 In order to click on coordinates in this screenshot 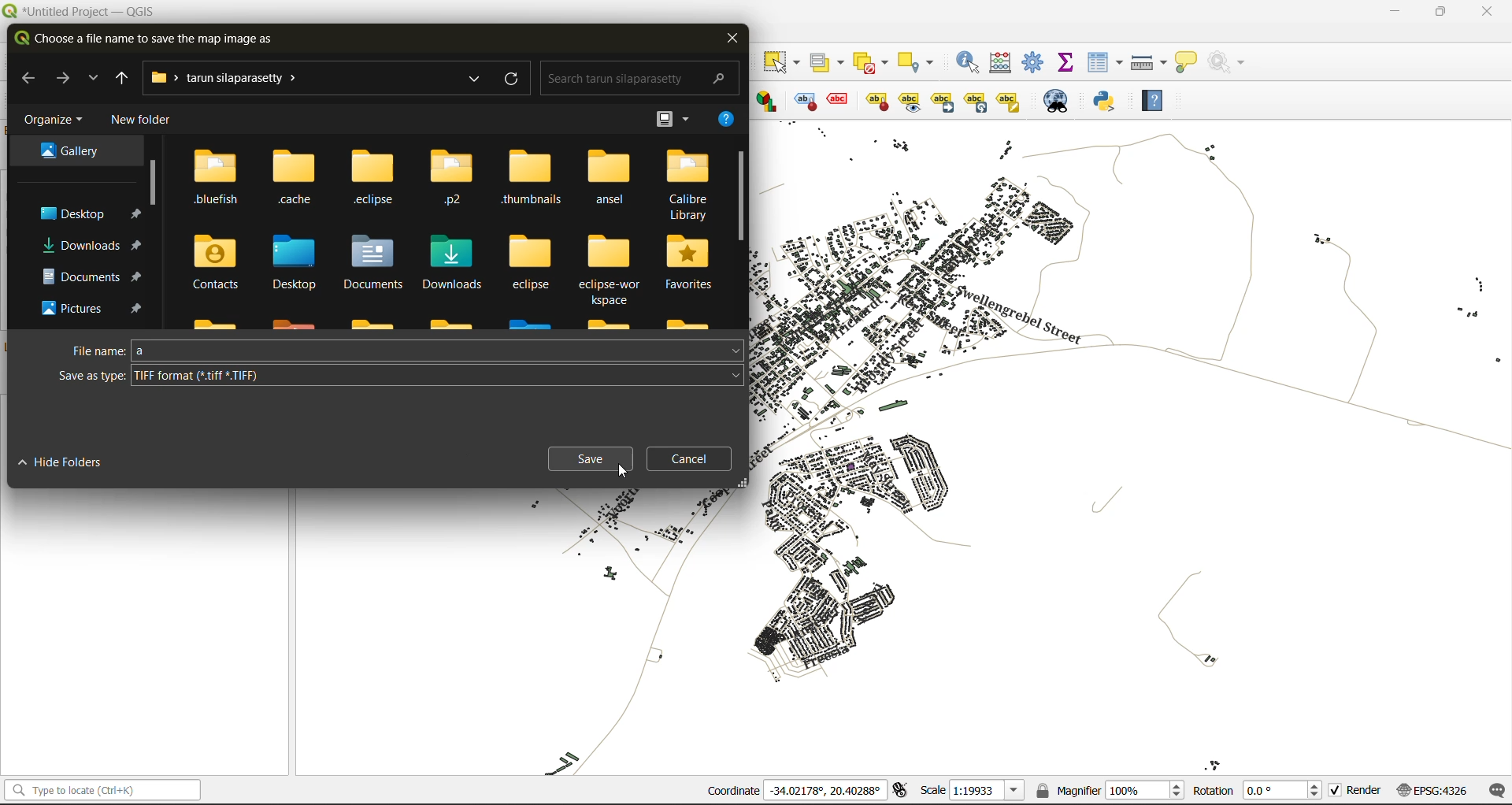, I will do `click(795, 792)`.